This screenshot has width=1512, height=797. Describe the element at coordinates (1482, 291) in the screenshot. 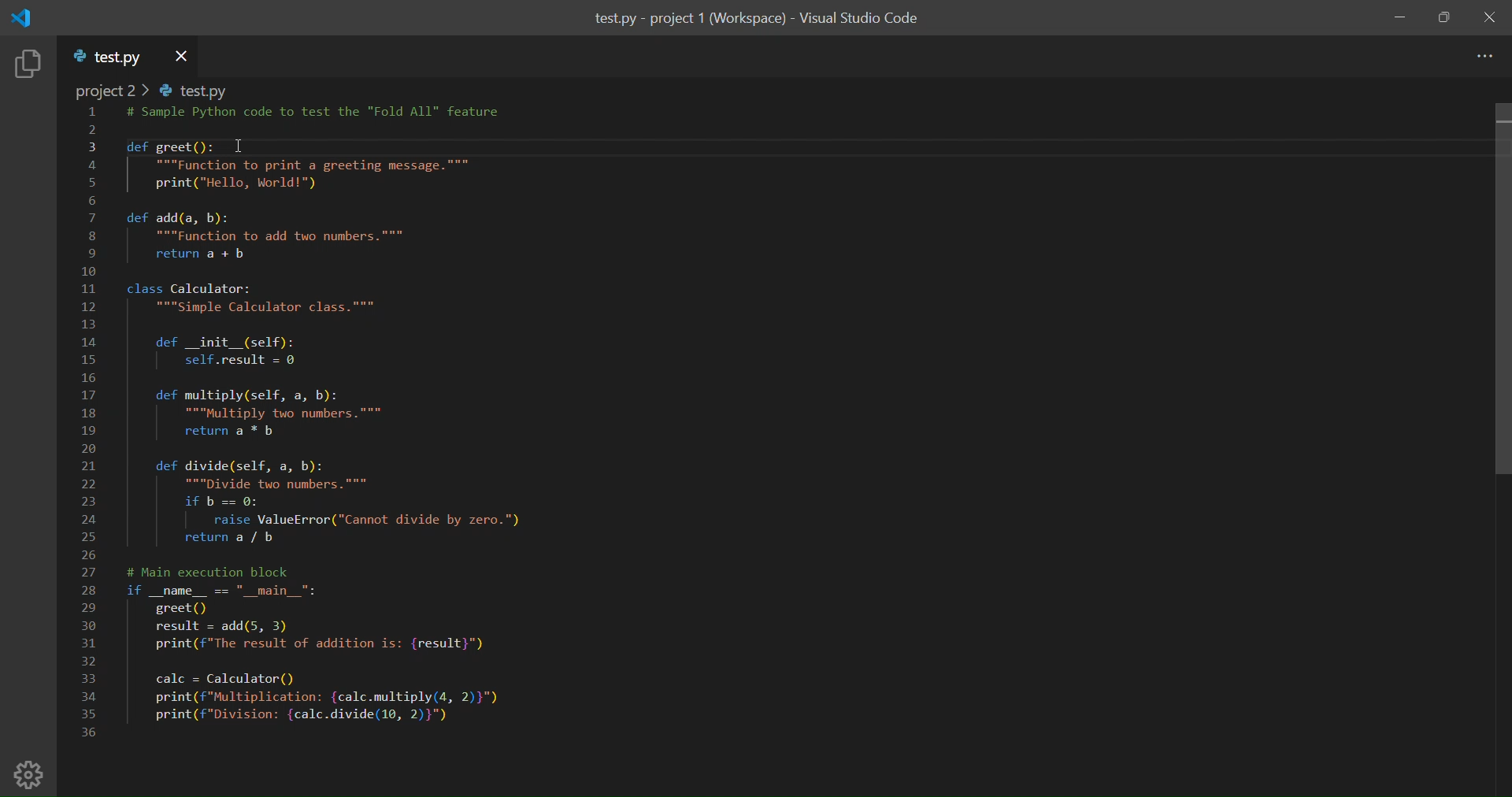

I see `scroll bar` at that location.